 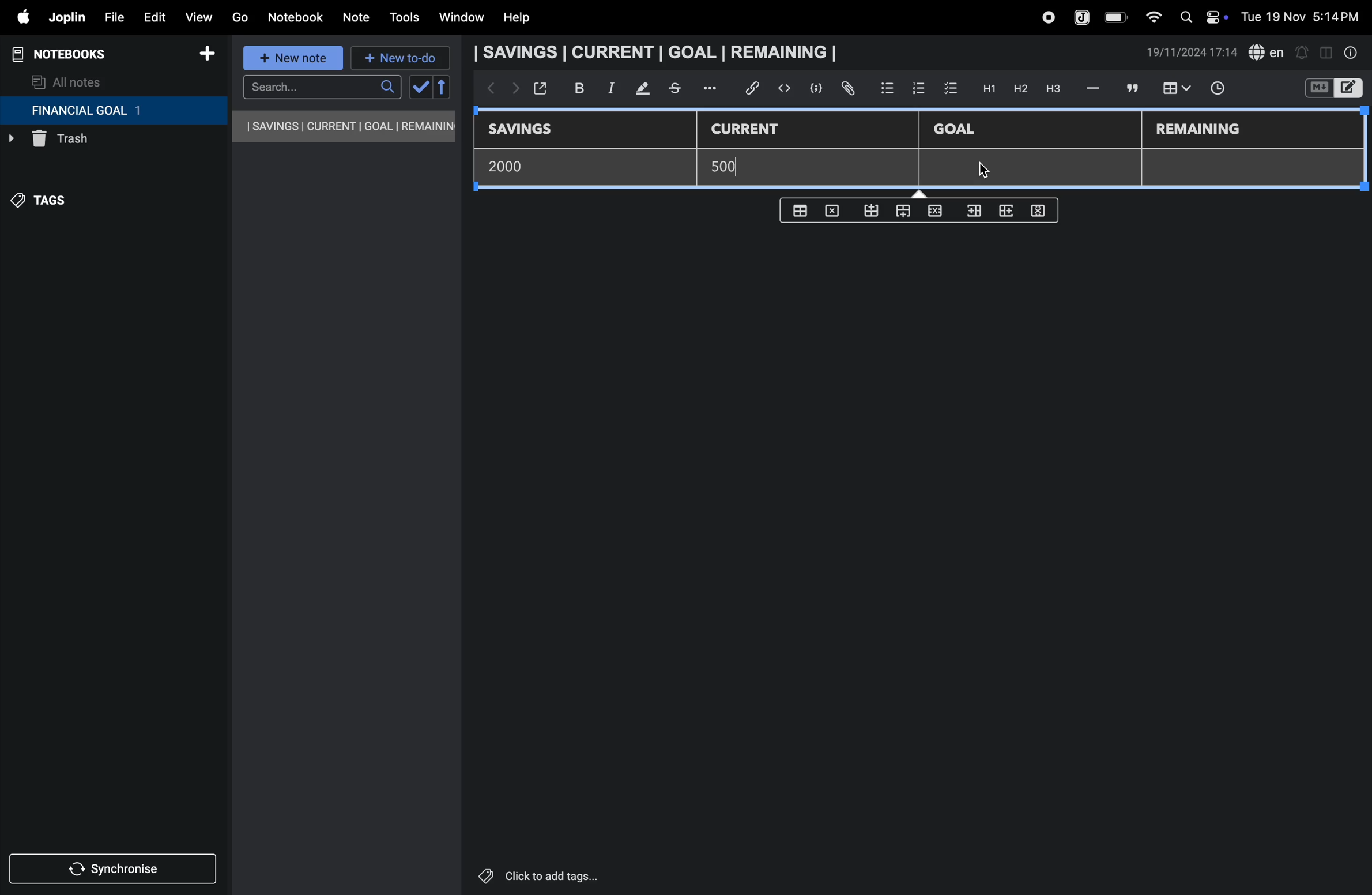 What do you see at coordinates (1352, 52) in the screenshot?
I see `info` at bounding box center [1352, 52].